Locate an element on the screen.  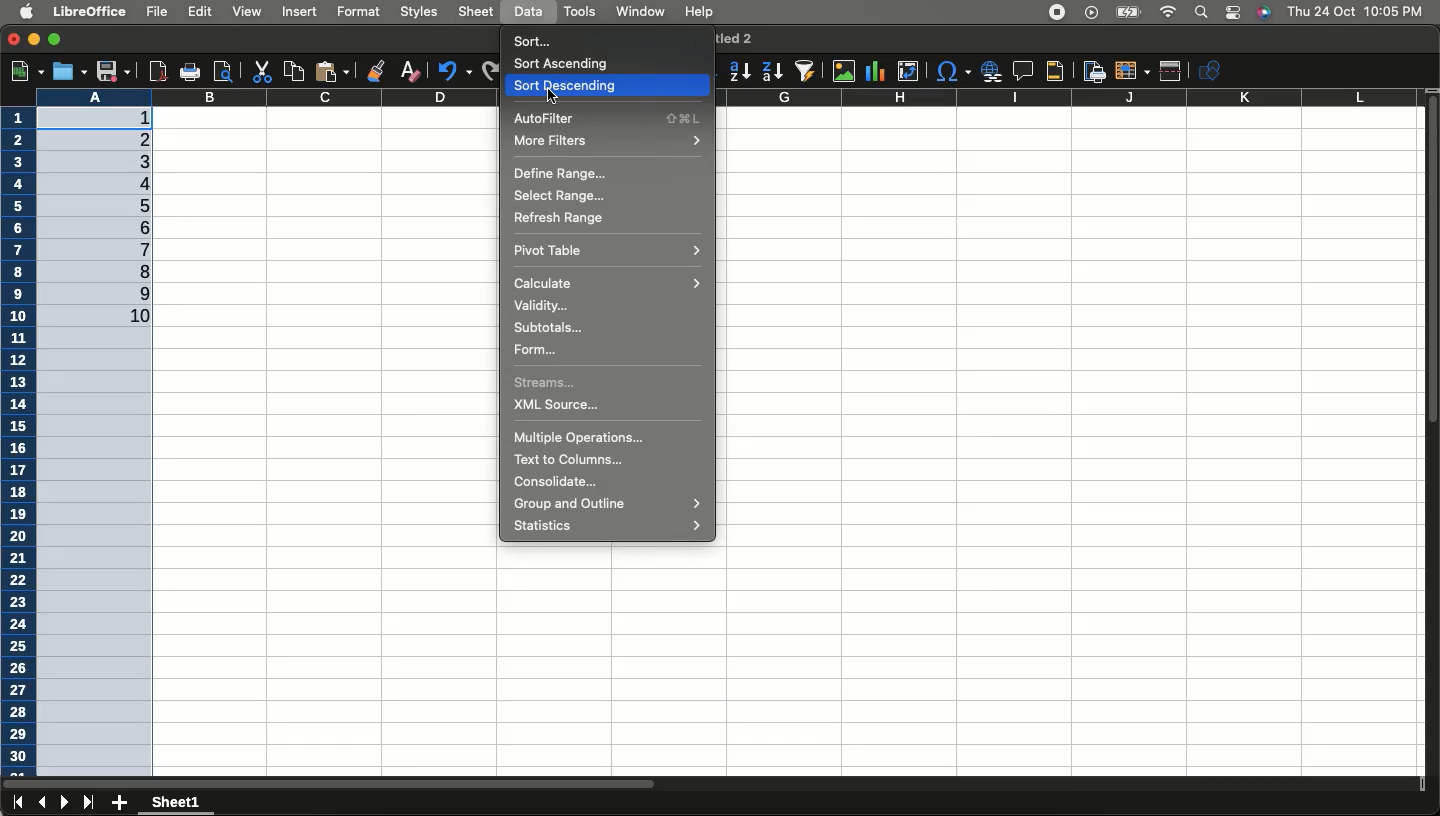
Print is located at coordinates (189, 73).